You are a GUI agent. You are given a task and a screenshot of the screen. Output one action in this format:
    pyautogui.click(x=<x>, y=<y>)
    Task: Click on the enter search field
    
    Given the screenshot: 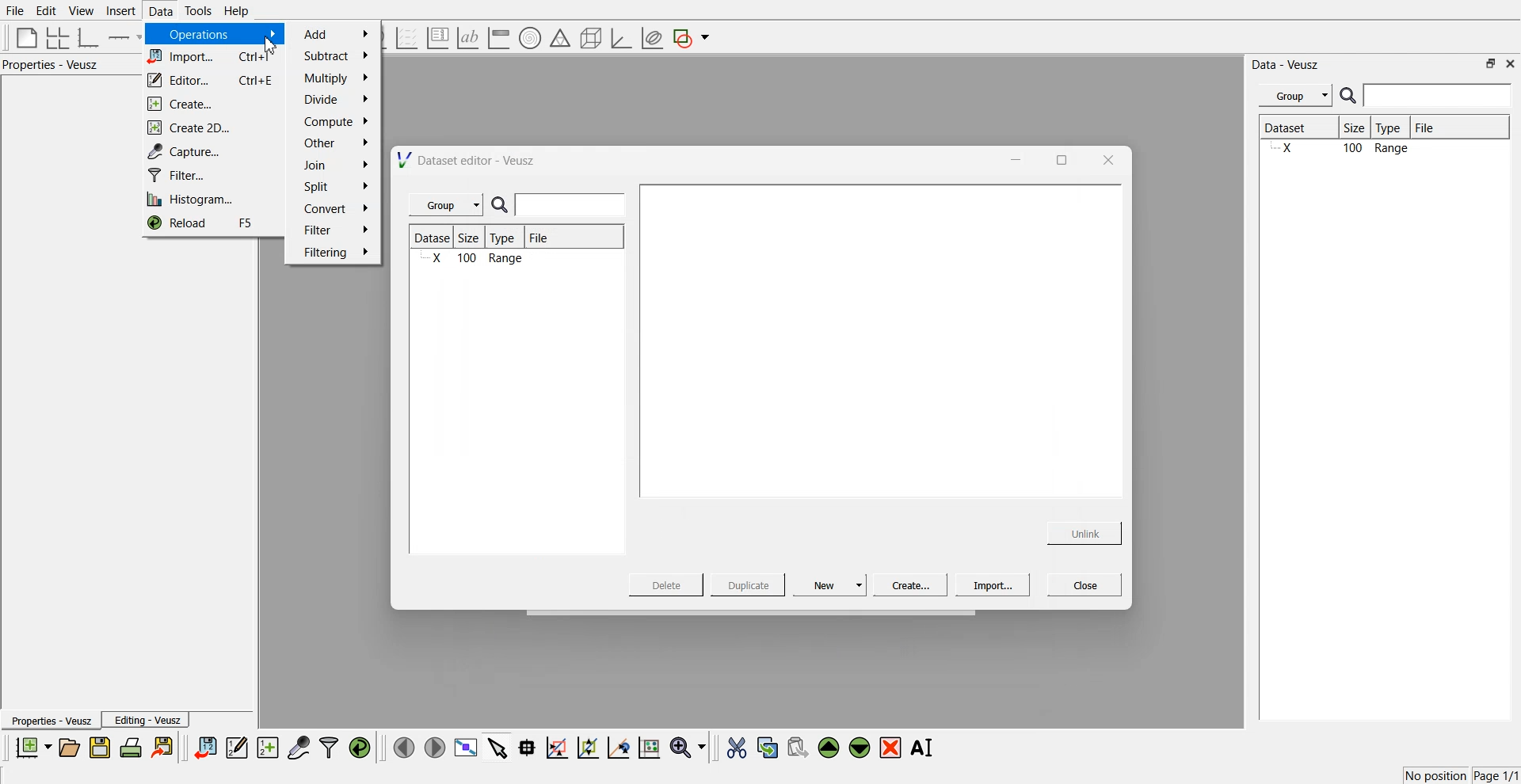 What is the action you would take?
    pyautogui.click(x=1439, y=96)
    